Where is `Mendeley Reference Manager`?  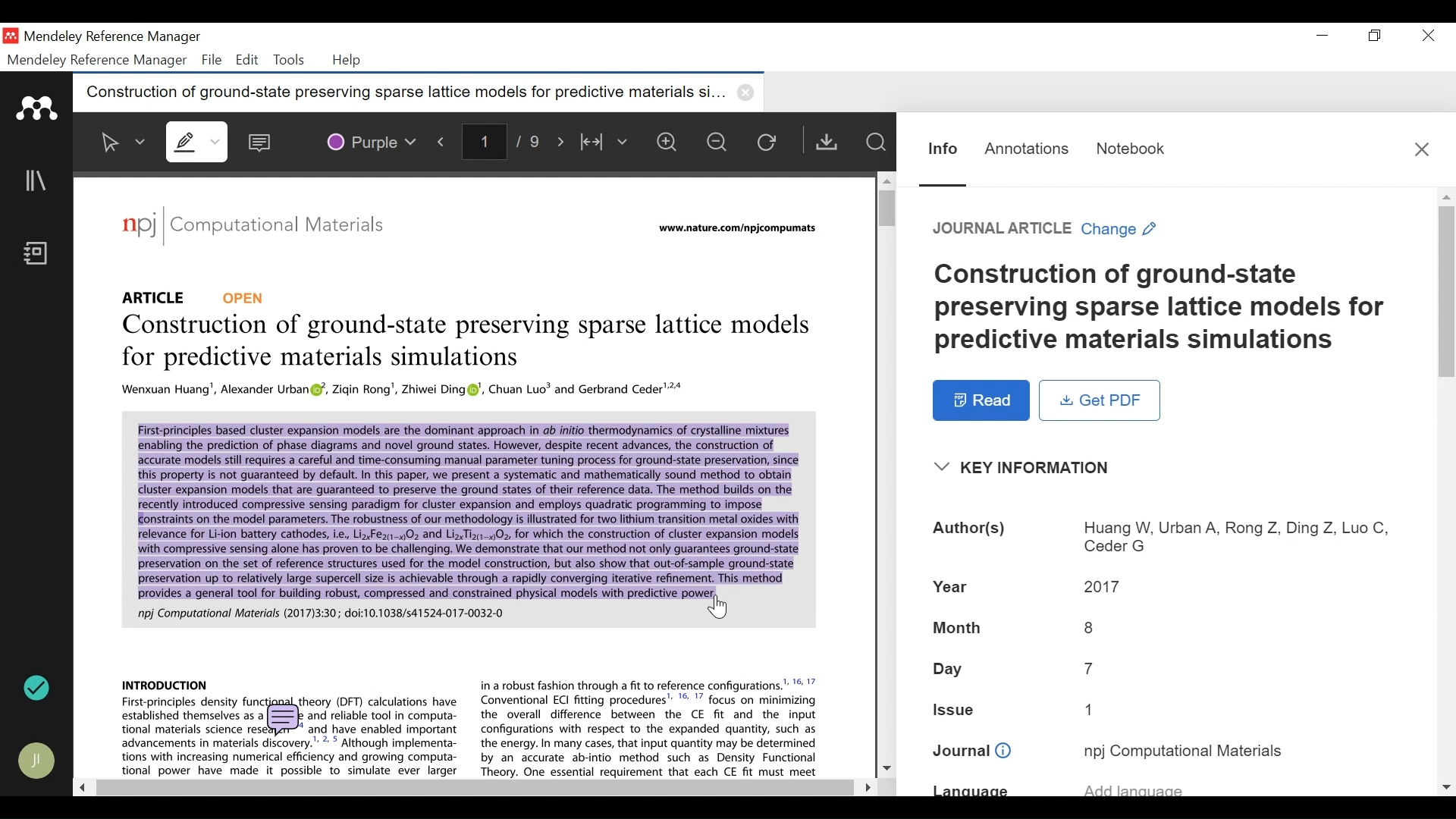
Mendeley Reference Manager is located at coordinates (98, 61).